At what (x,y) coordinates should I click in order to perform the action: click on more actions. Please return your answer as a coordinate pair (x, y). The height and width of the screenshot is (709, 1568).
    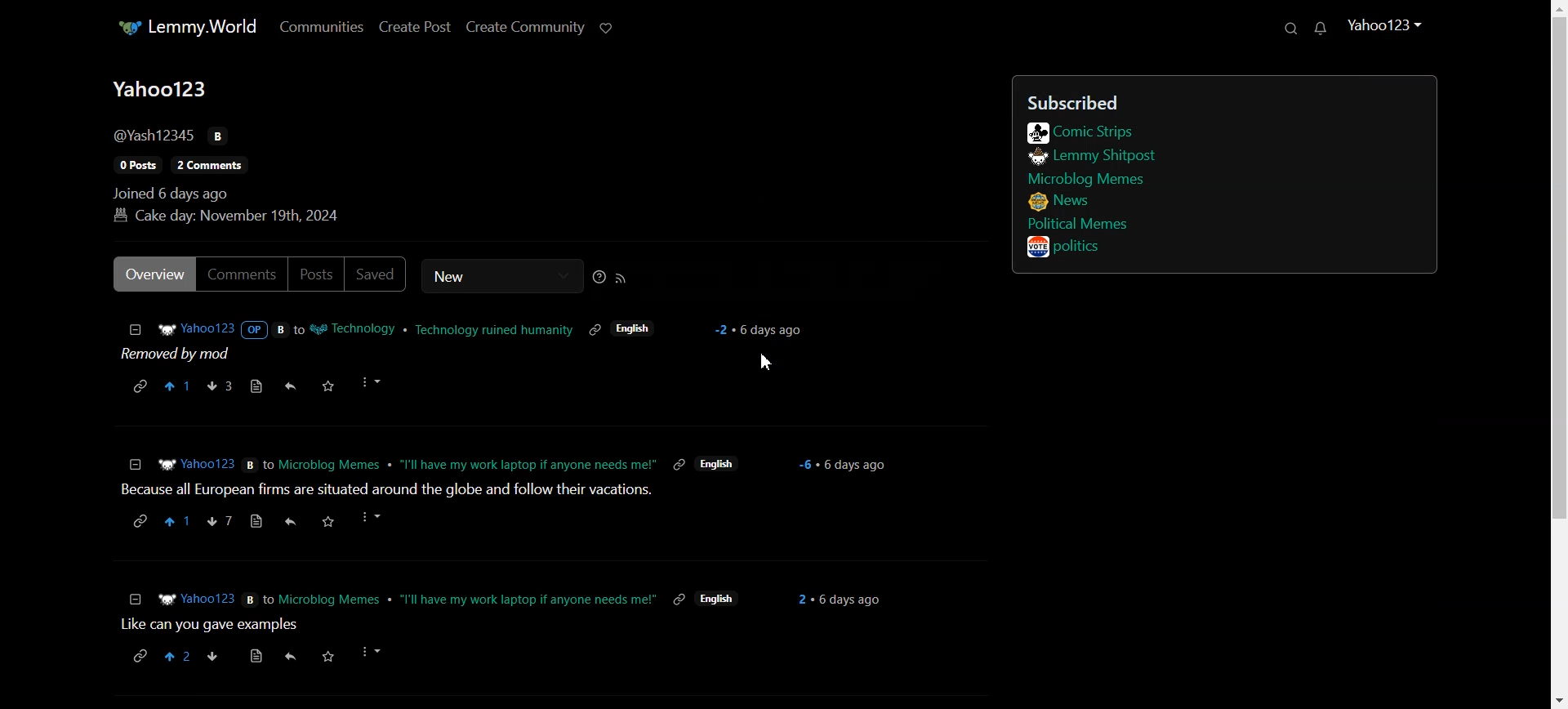
    Looking at the image, I should click on (373, 519).